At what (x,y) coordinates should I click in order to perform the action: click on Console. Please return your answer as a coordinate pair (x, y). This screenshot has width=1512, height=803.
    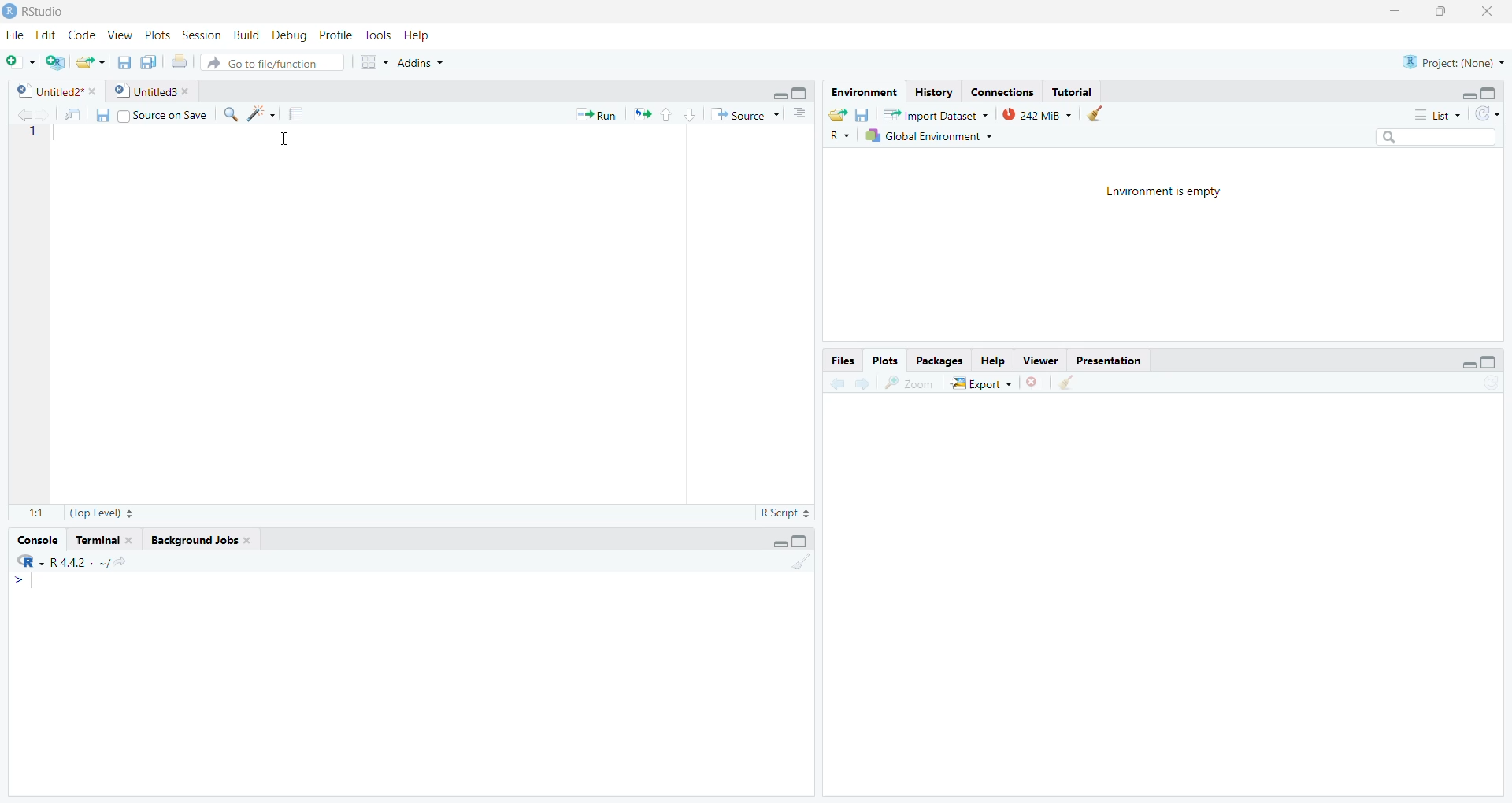
    Looking at the image, I should click on (37, 540).